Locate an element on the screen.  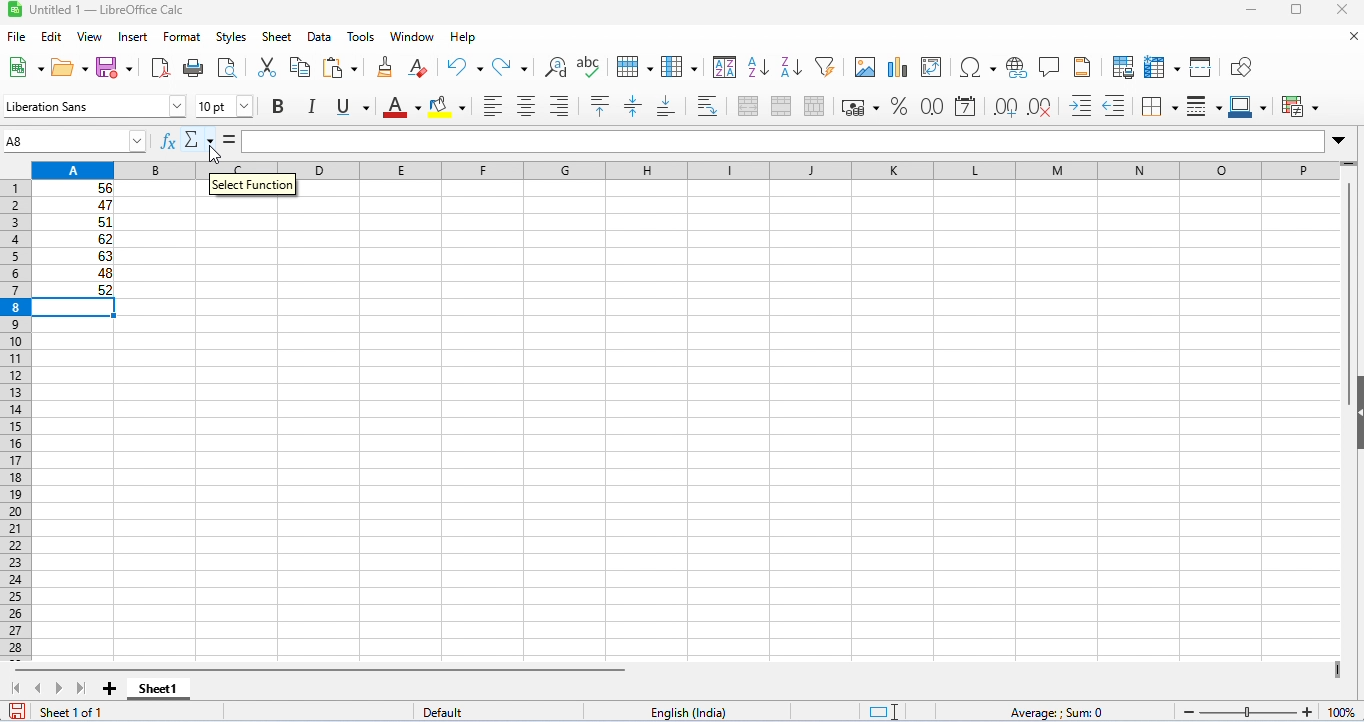
file is located at coordinates (16, 37).